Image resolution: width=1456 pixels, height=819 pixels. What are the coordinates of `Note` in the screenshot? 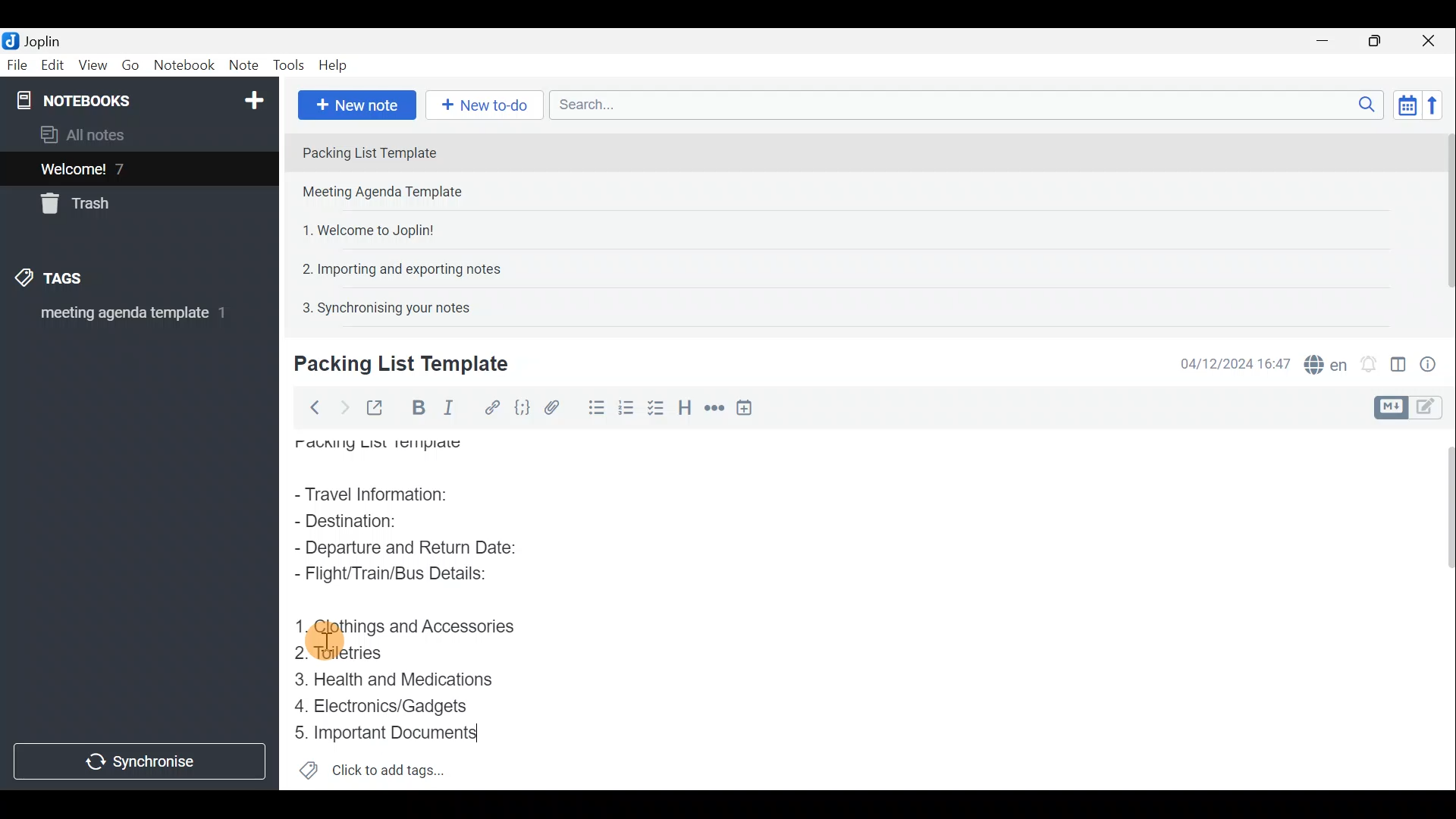 It's located at (243, 66).